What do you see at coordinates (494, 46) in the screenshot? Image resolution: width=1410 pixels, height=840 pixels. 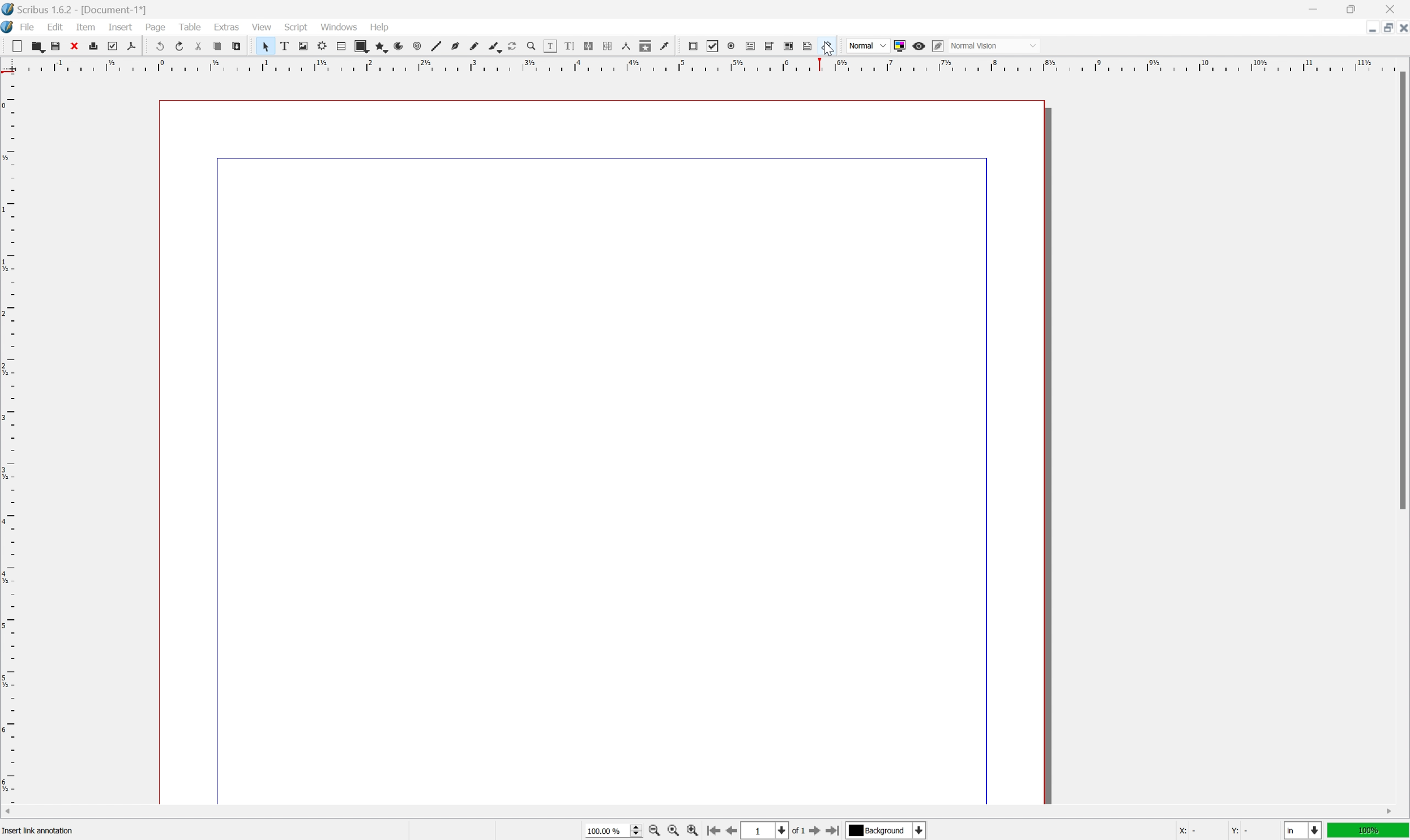 I see `calligraphy line` at bounding box center [494, 46].